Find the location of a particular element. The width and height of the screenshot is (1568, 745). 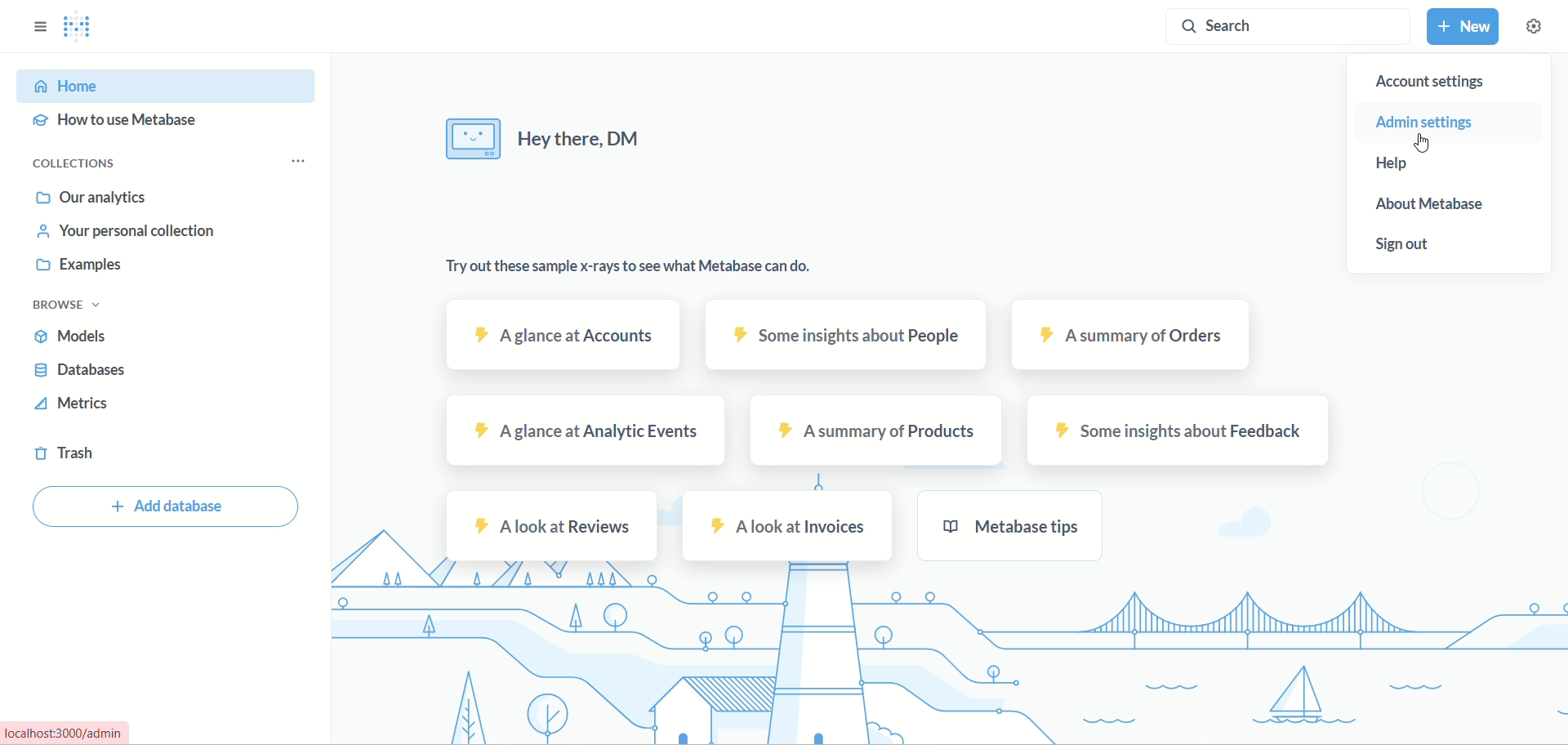

trash is located at coordinates (65, 454).